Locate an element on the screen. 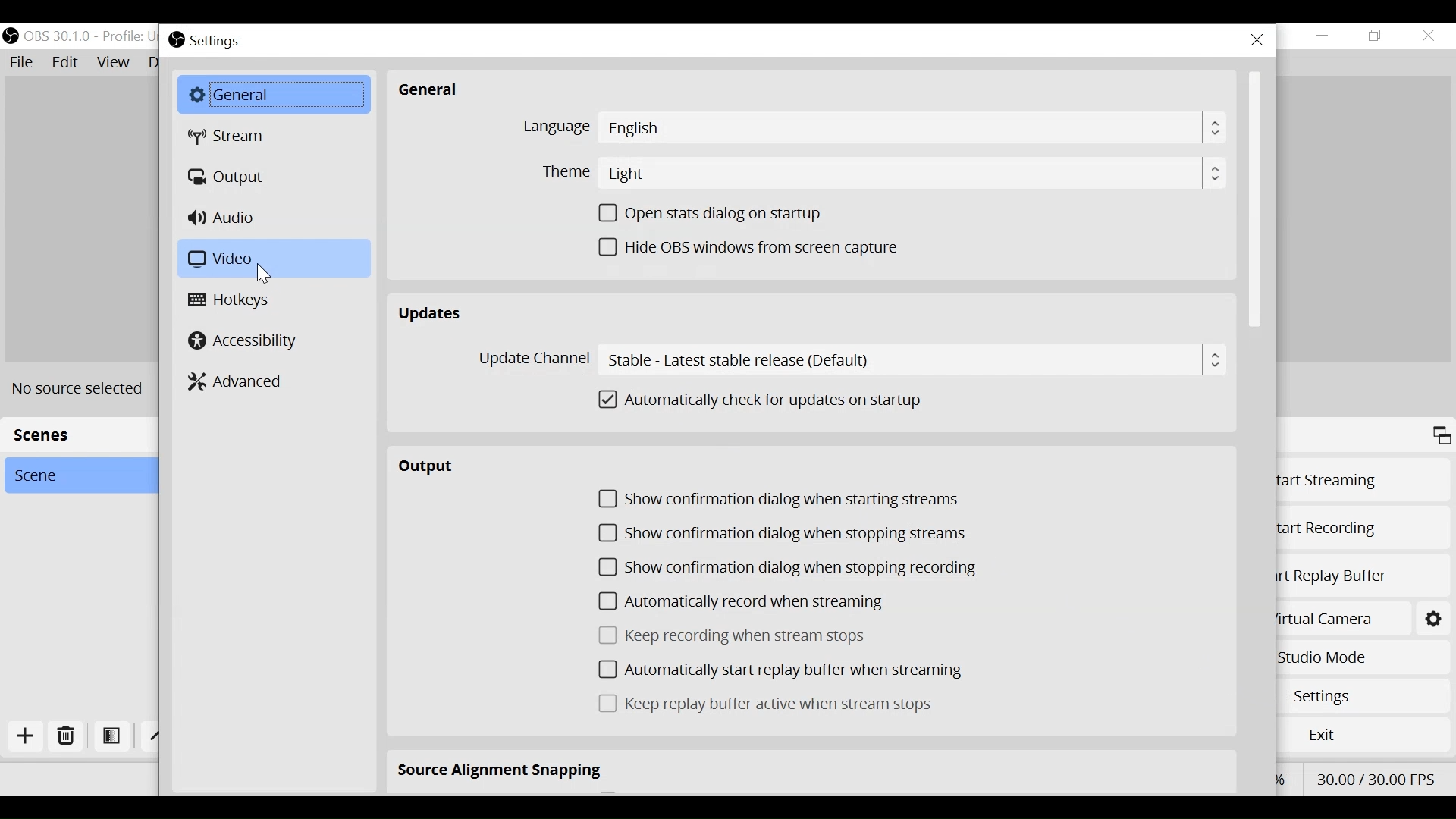 The image size is (1456, 819). Updates is located at coordinates (428, 313).